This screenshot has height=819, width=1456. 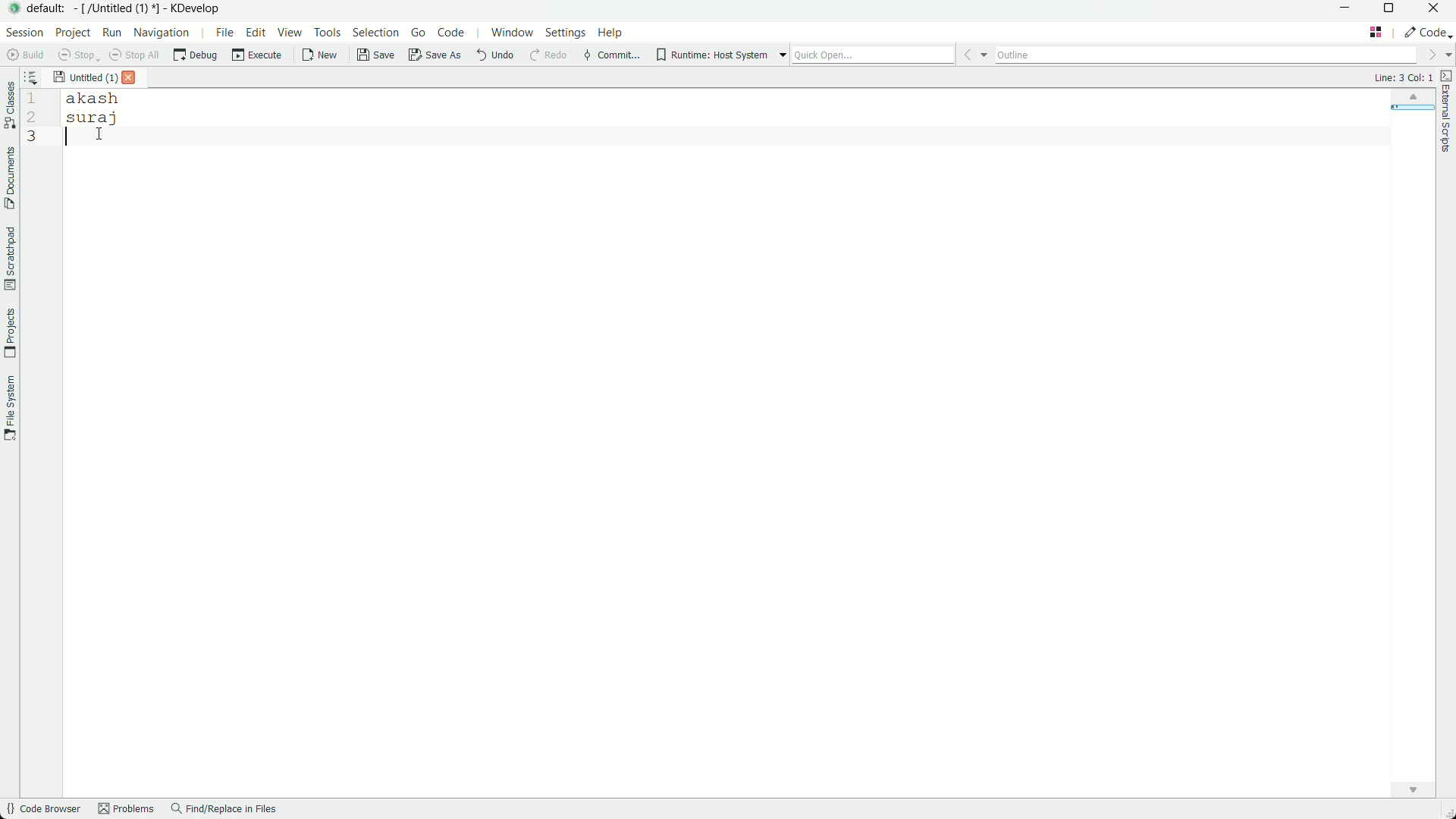 What do you see at coordinates (1447, 111) in the screenshot?
I see `toggle external scripts` at bounding box center [1447, 111].